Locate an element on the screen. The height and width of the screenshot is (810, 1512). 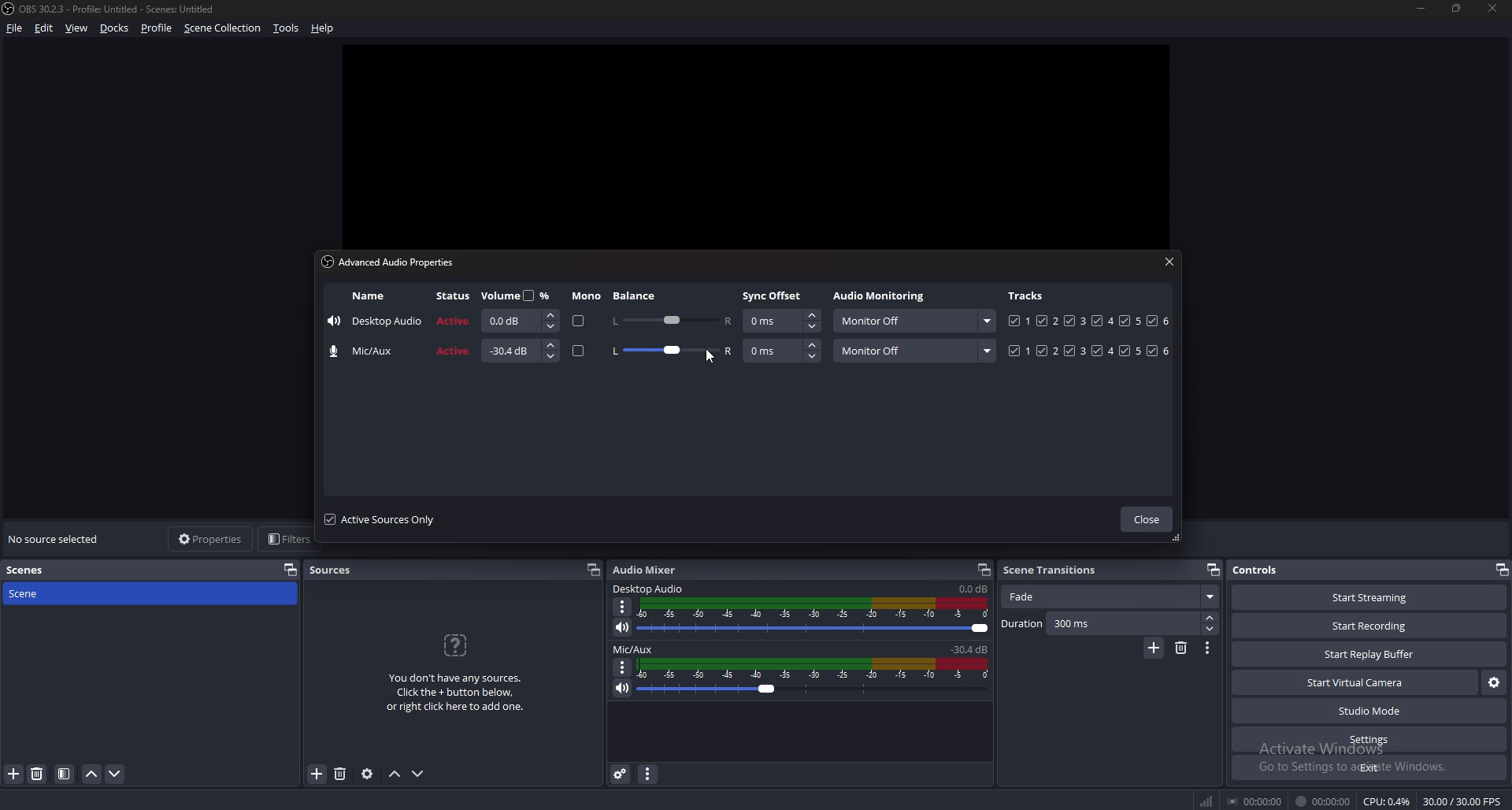
mute is located at coordinates (621, 689).